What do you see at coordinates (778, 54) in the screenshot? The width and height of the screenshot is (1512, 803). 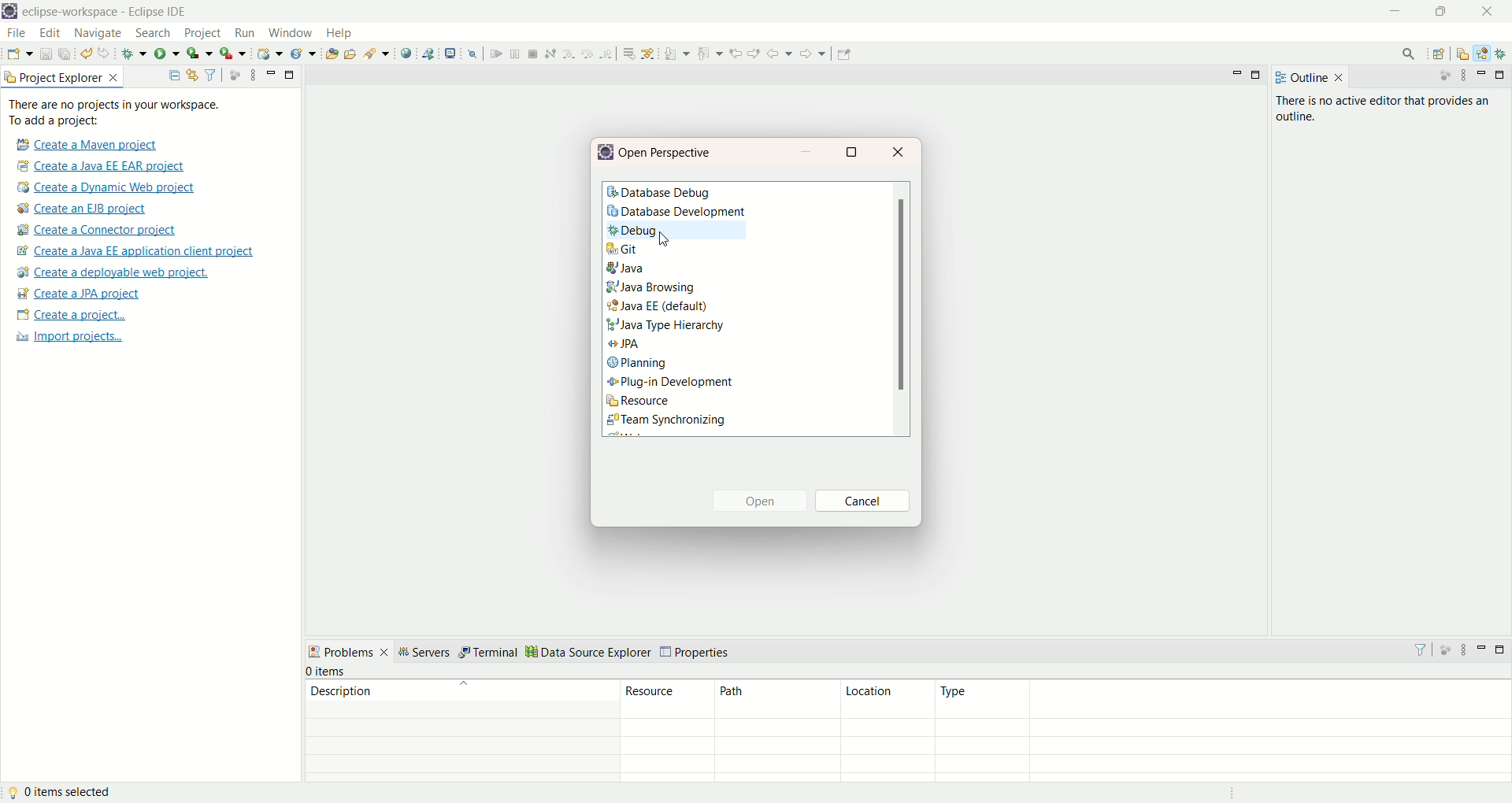 I see `back` at bounding box center [778, 54].